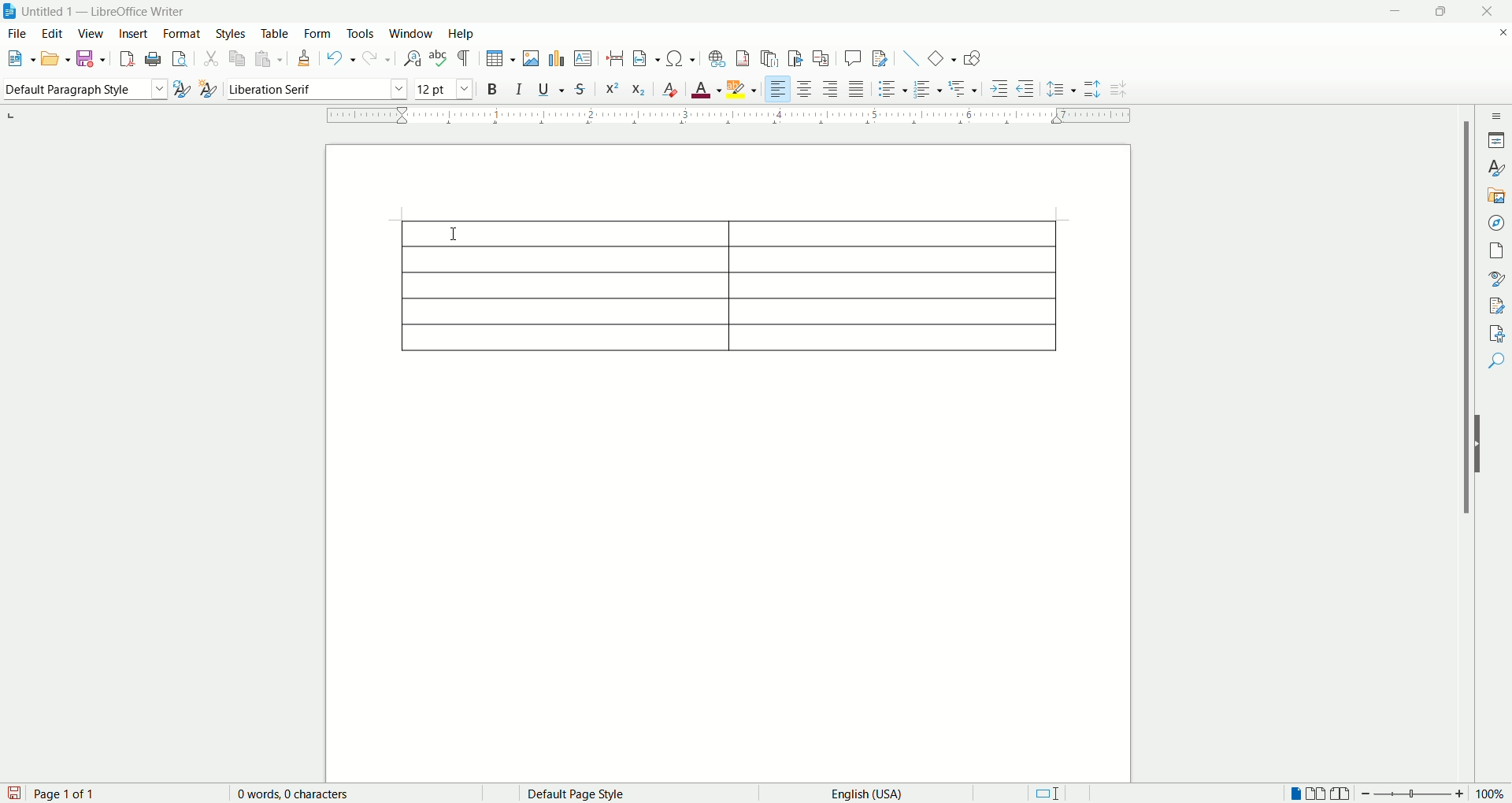 The height and width of the screenshot is (803, 1512). Describe the element at coordinates (707, 87) in the screenshot. I see `font color` at that location.